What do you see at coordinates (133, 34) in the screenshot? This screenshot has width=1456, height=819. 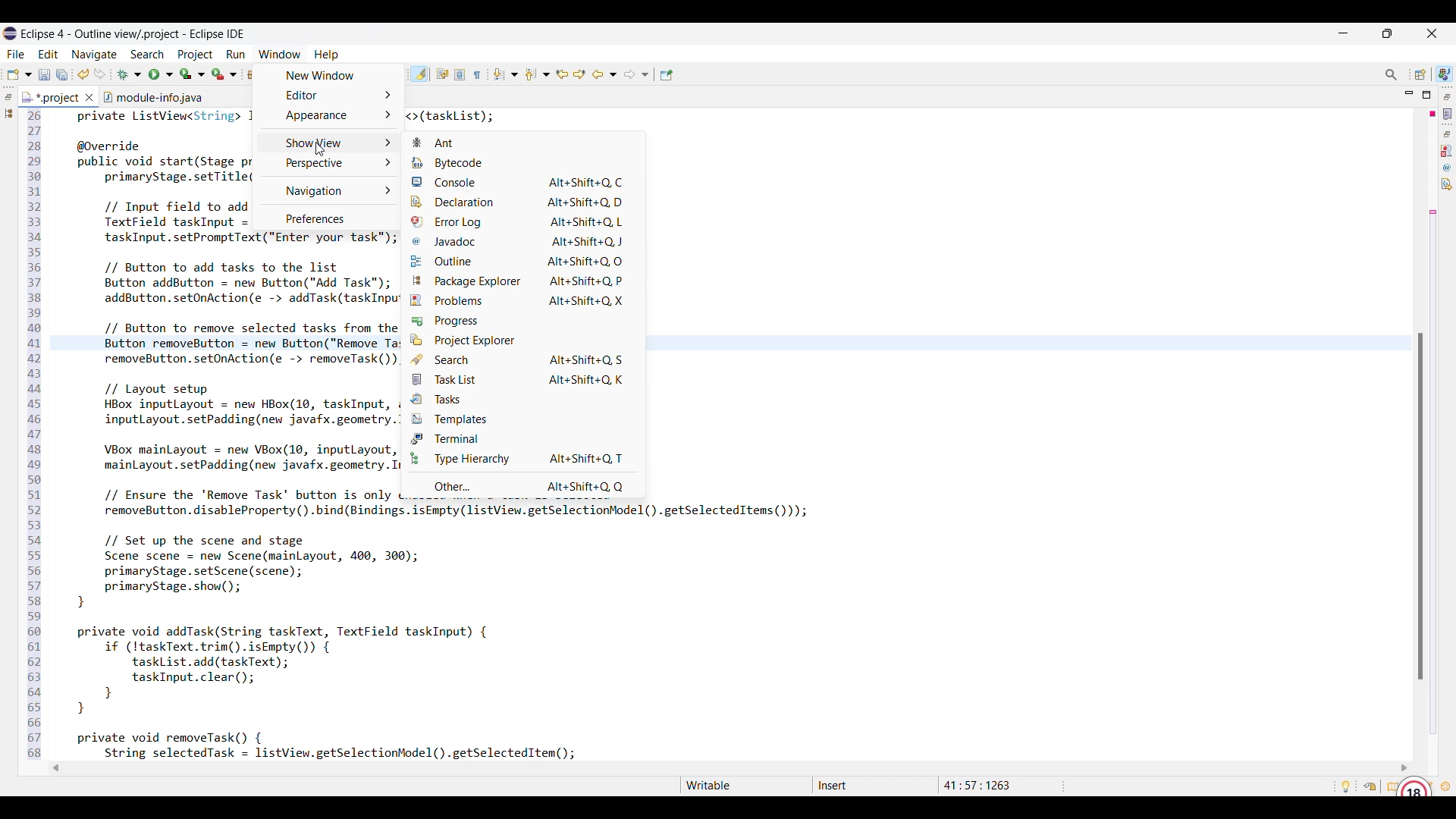 I see `Project name and software name` at bounding box center [133, 34].